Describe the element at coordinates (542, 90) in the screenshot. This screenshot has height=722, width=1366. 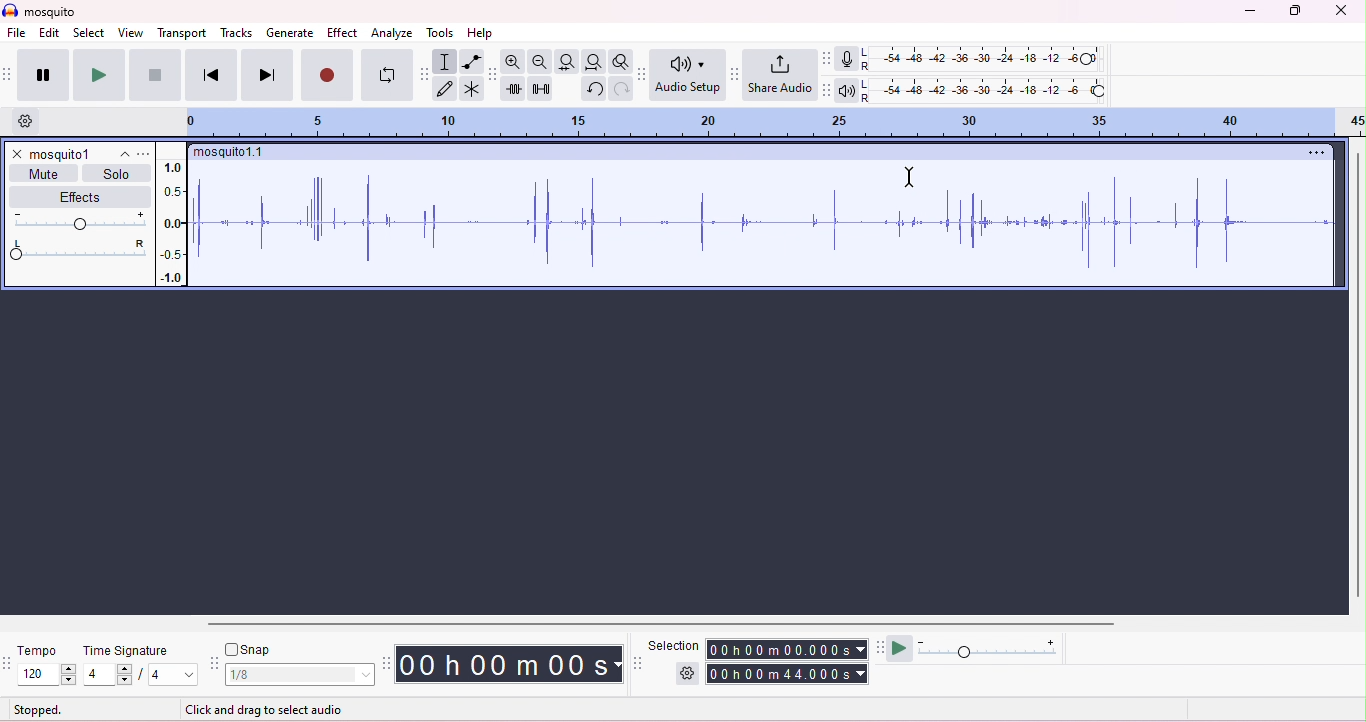
I see `silence selection` at that location.